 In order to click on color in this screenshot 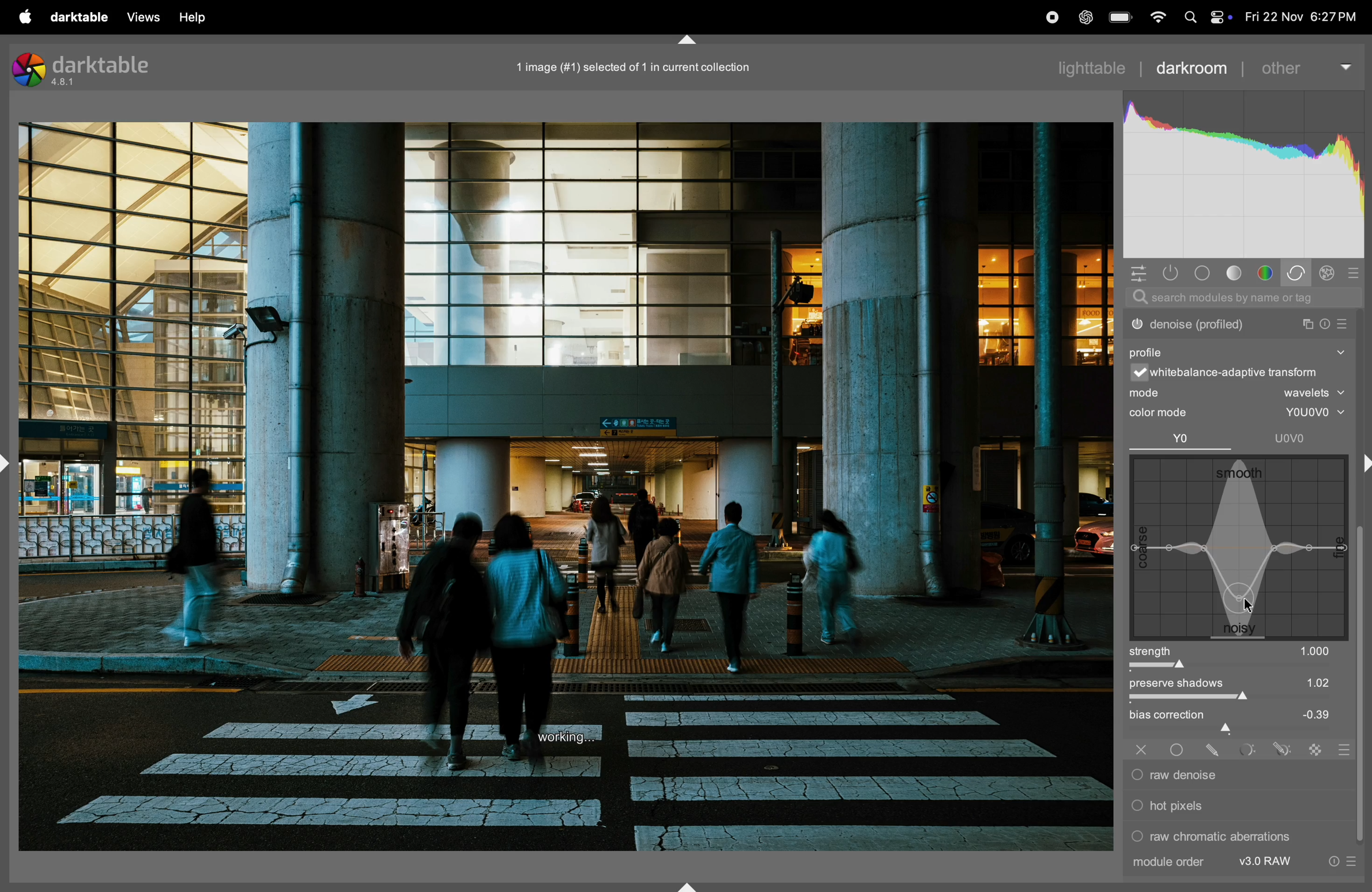, I will do `click(1265, 272)`.